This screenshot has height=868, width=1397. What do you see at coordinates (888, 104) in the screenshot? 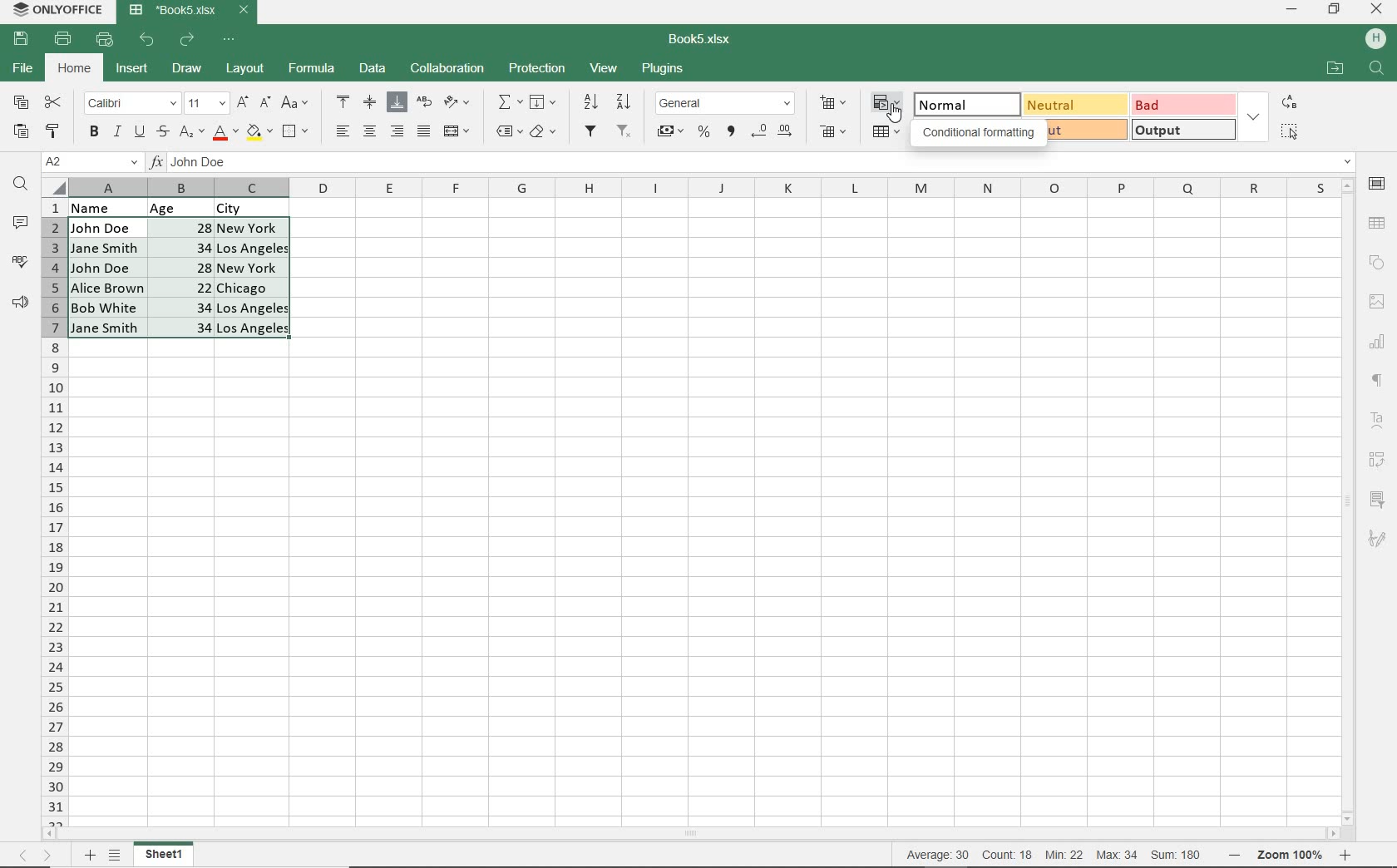
I see `CONDITIONAL FORMATTING` at bounding box center [888, 104].